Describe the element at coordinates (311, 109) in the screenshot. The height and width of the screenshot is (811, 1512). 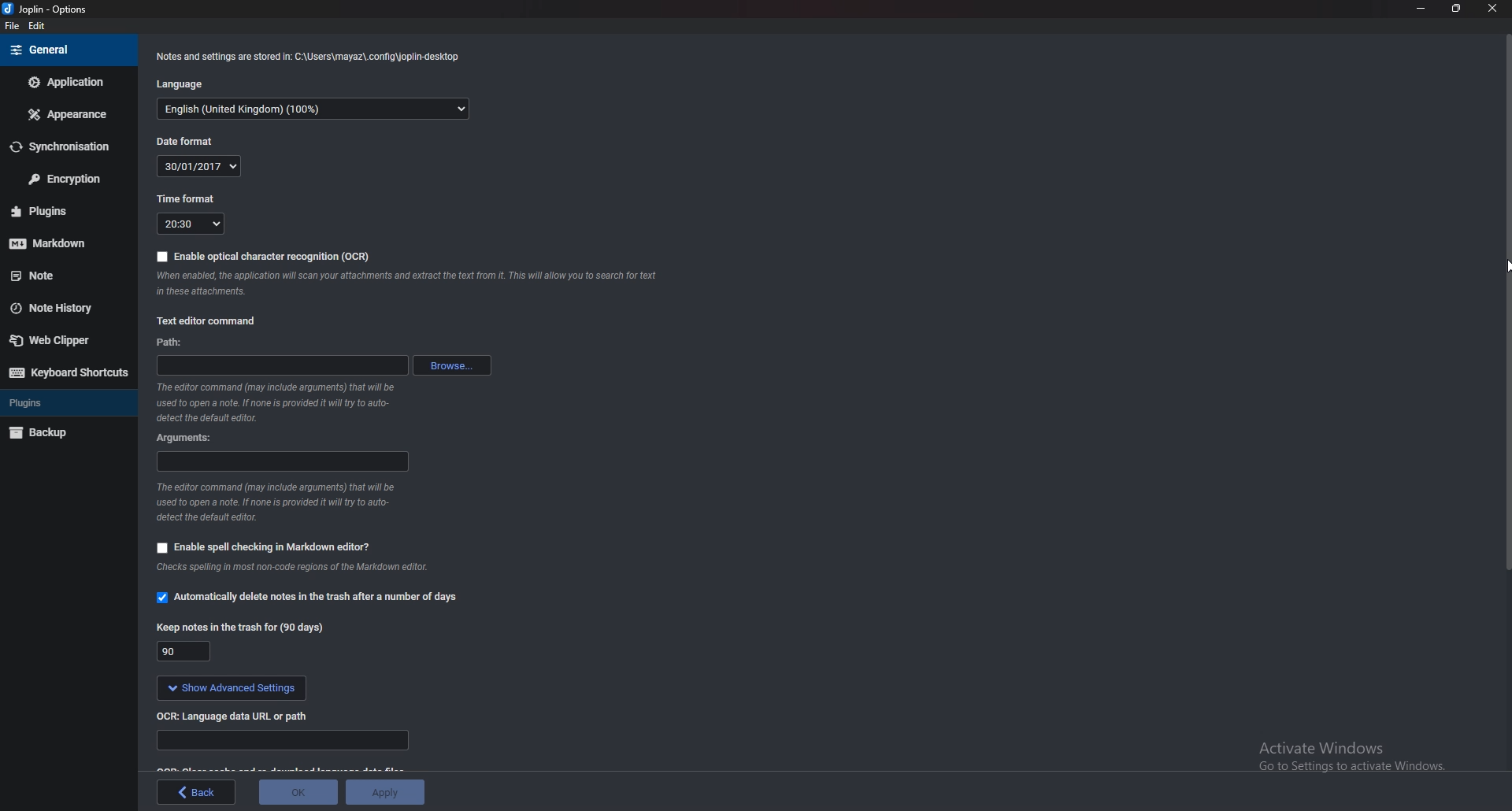
I see `language` at that location.